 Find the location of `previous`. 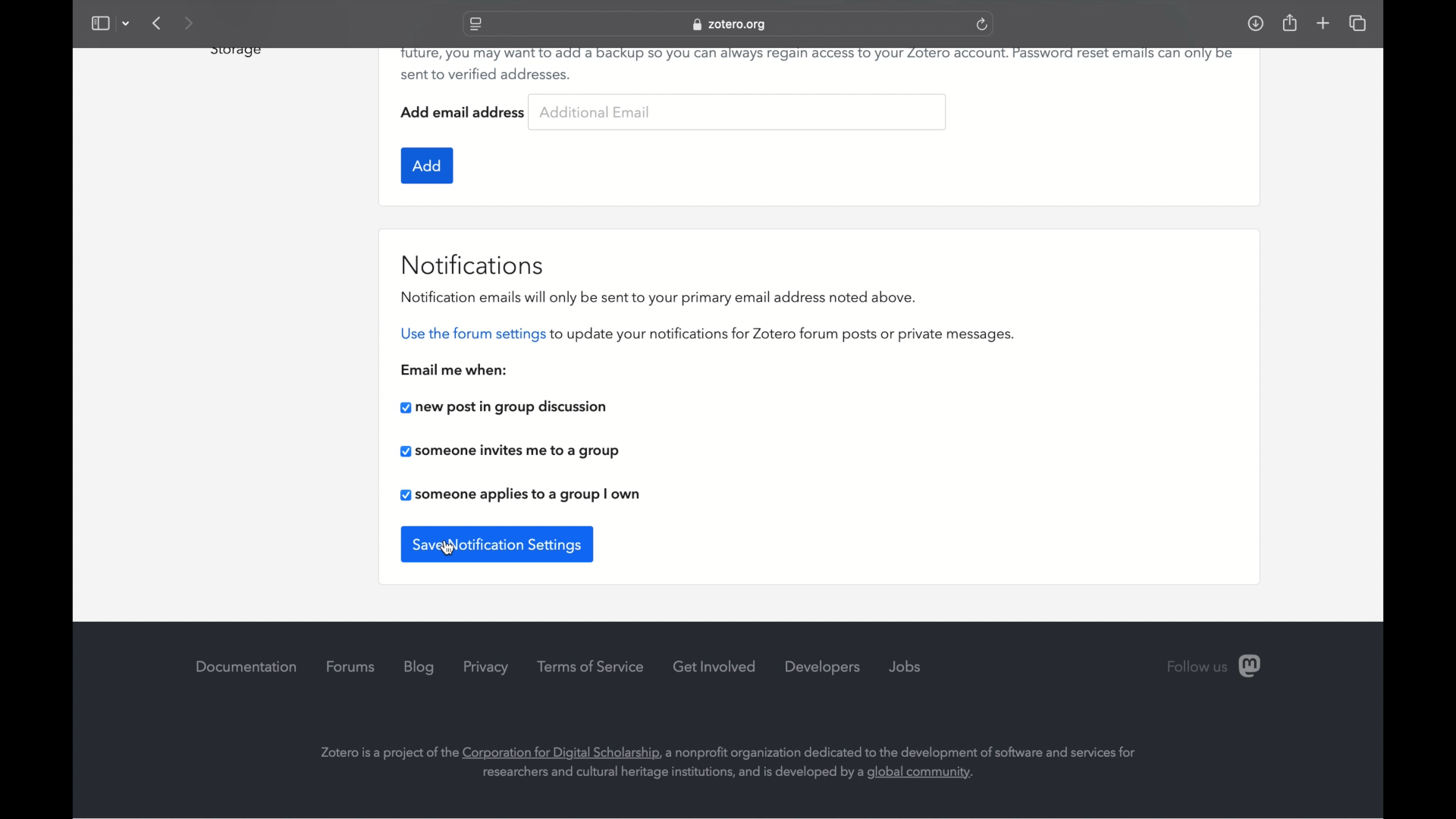

previous is located at coordinates (158, 23).